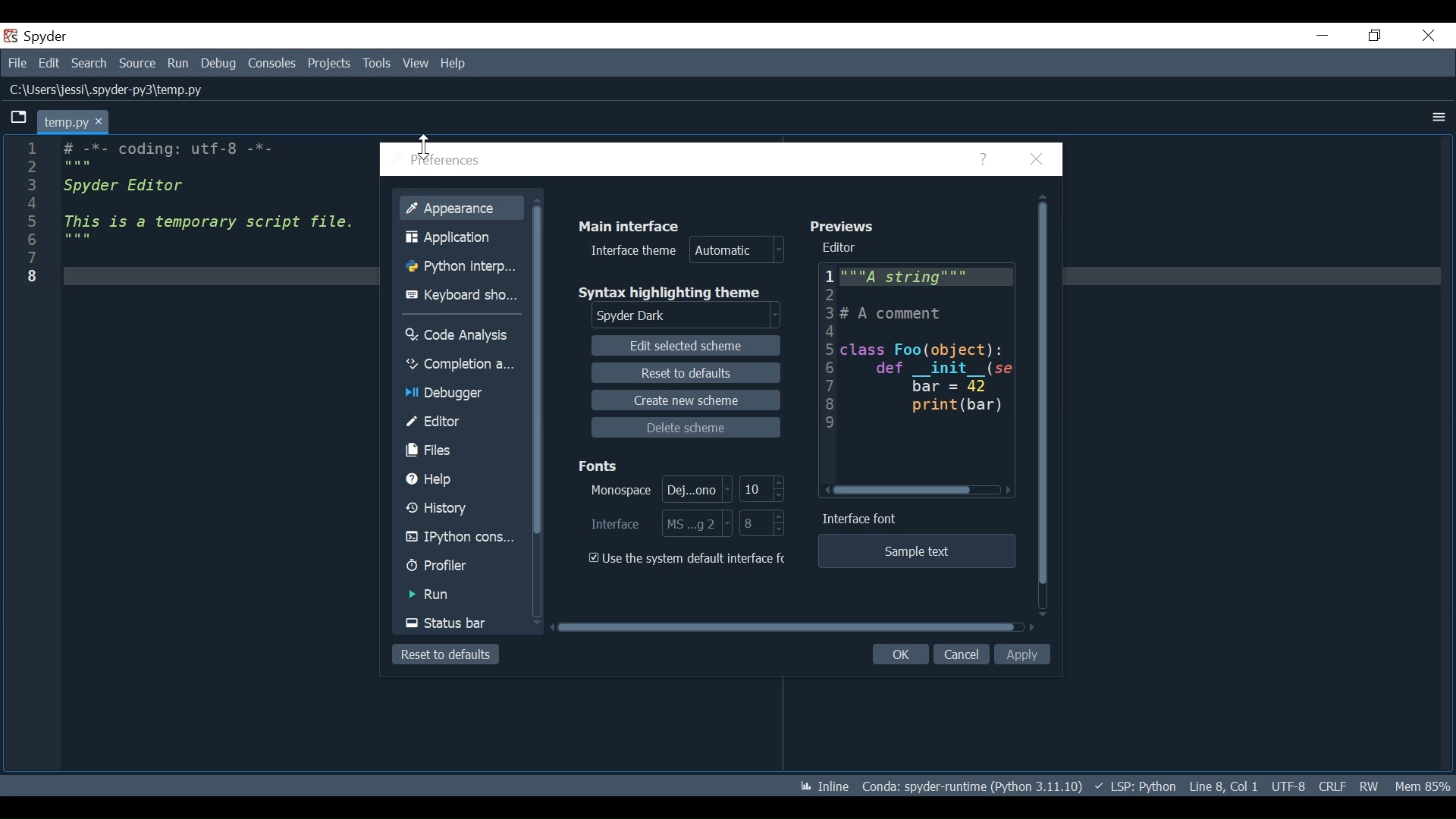  Describe the element at coordinates (1223, 786) in the screenshot. I see `Cursor Position` at that location.